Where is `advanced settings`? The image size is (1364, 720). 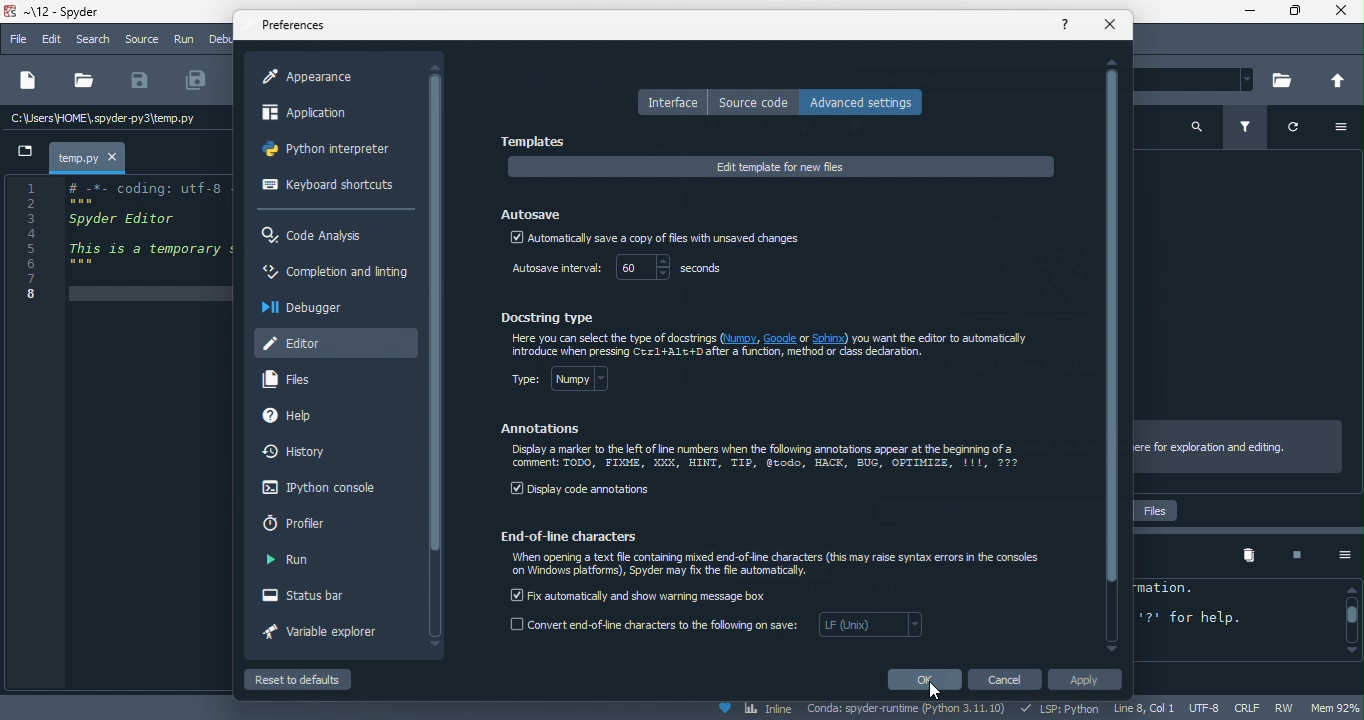
advanced settings is located at coordinates (867, 101).